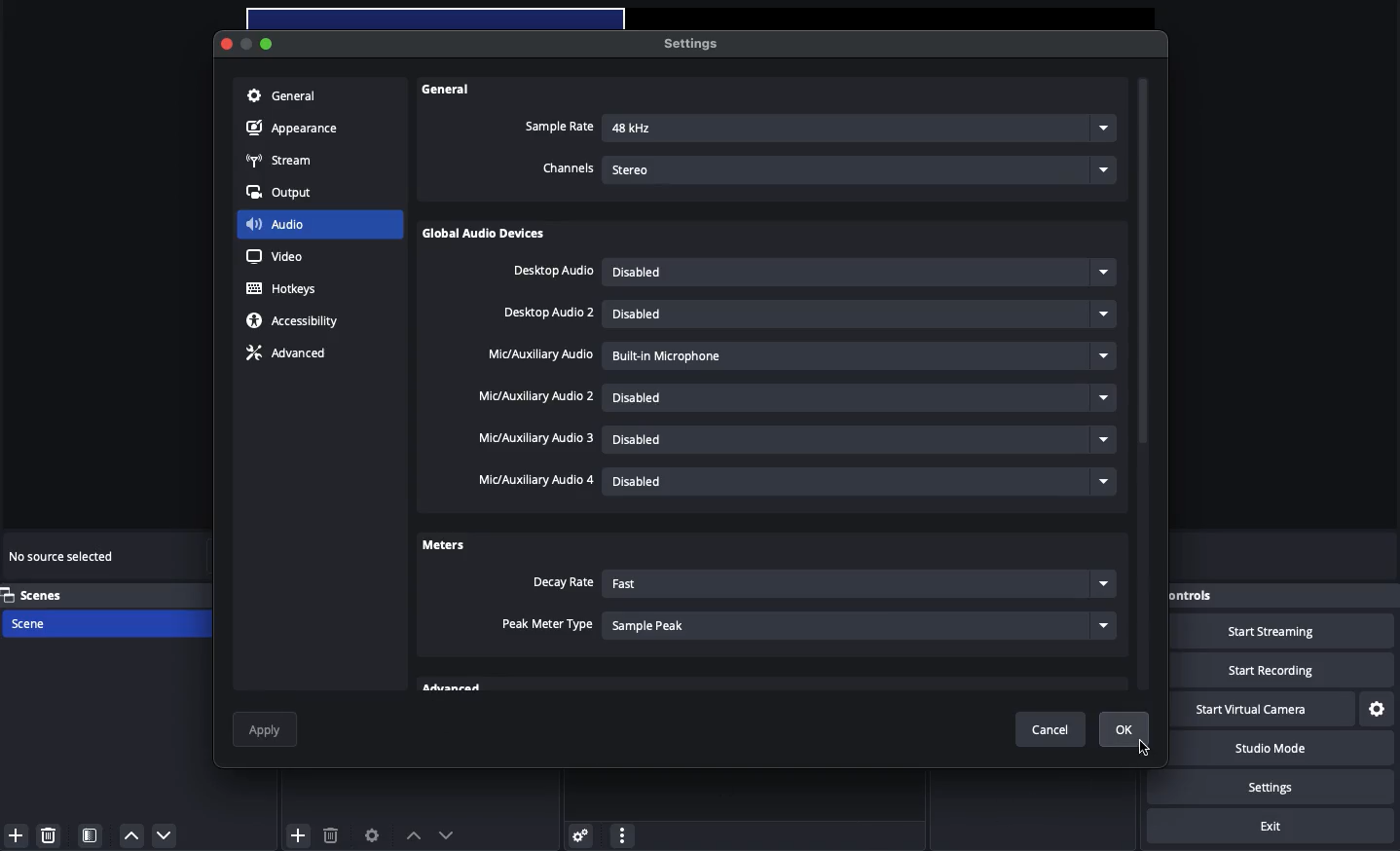  I want to click on Scenes, so click(46, 595).